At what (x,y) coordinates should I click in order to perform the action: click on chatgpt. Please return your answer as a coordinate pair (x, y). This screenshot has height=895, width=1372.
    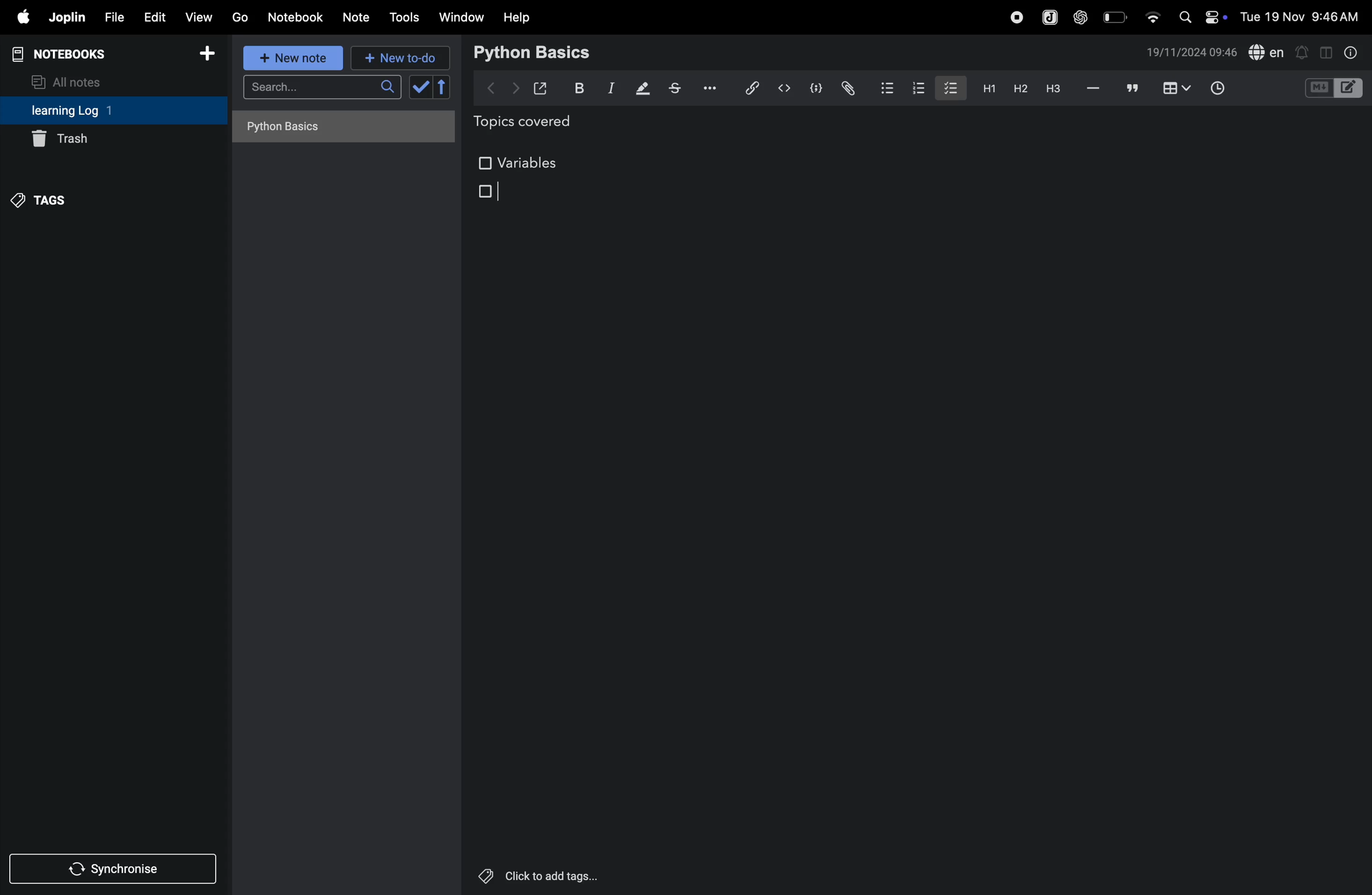
    Looking at the image, I should click on (1081, 16).